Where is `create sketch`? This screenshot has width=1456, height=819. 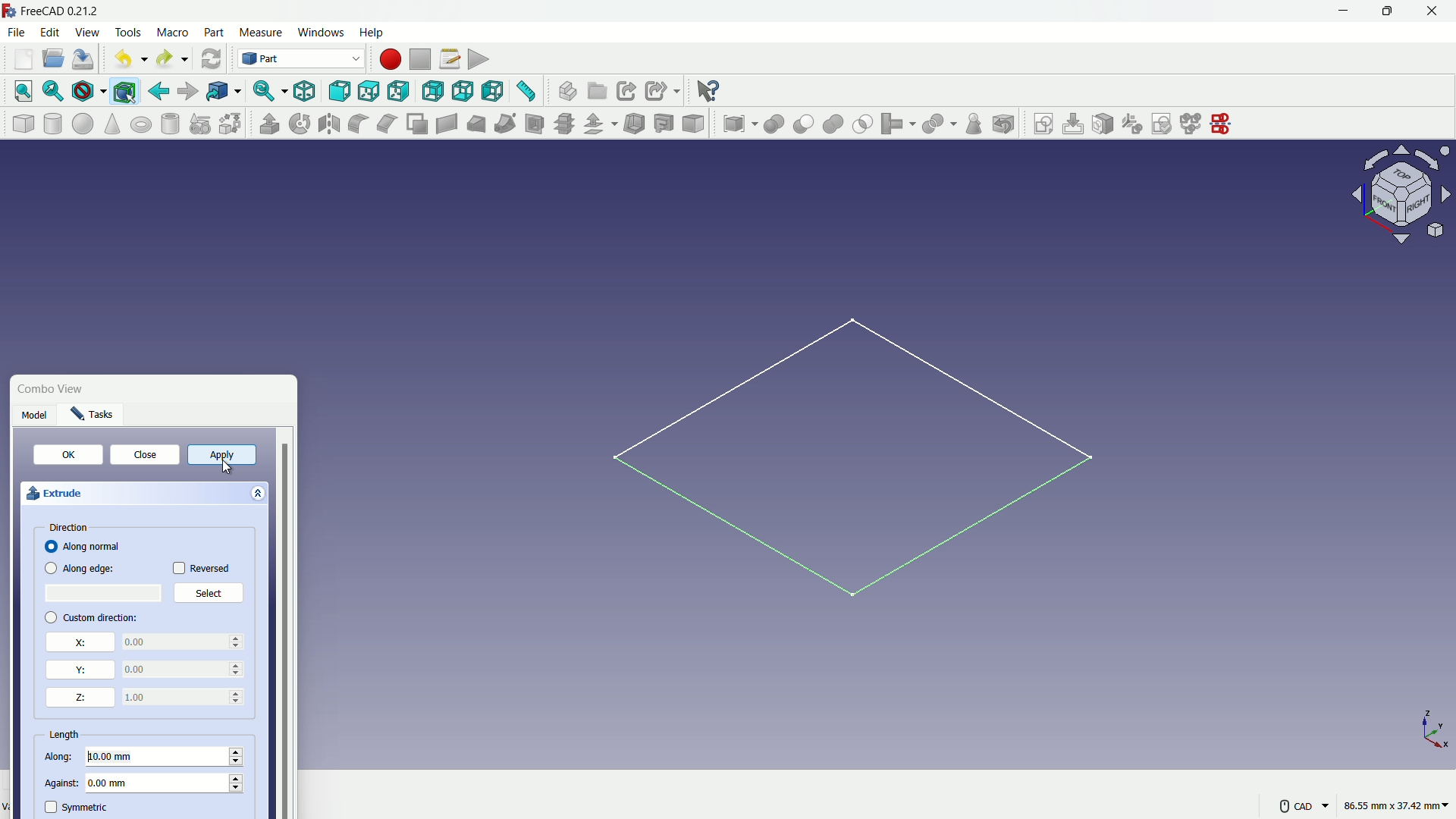 create sketch is located at coordinates (1043, 122).